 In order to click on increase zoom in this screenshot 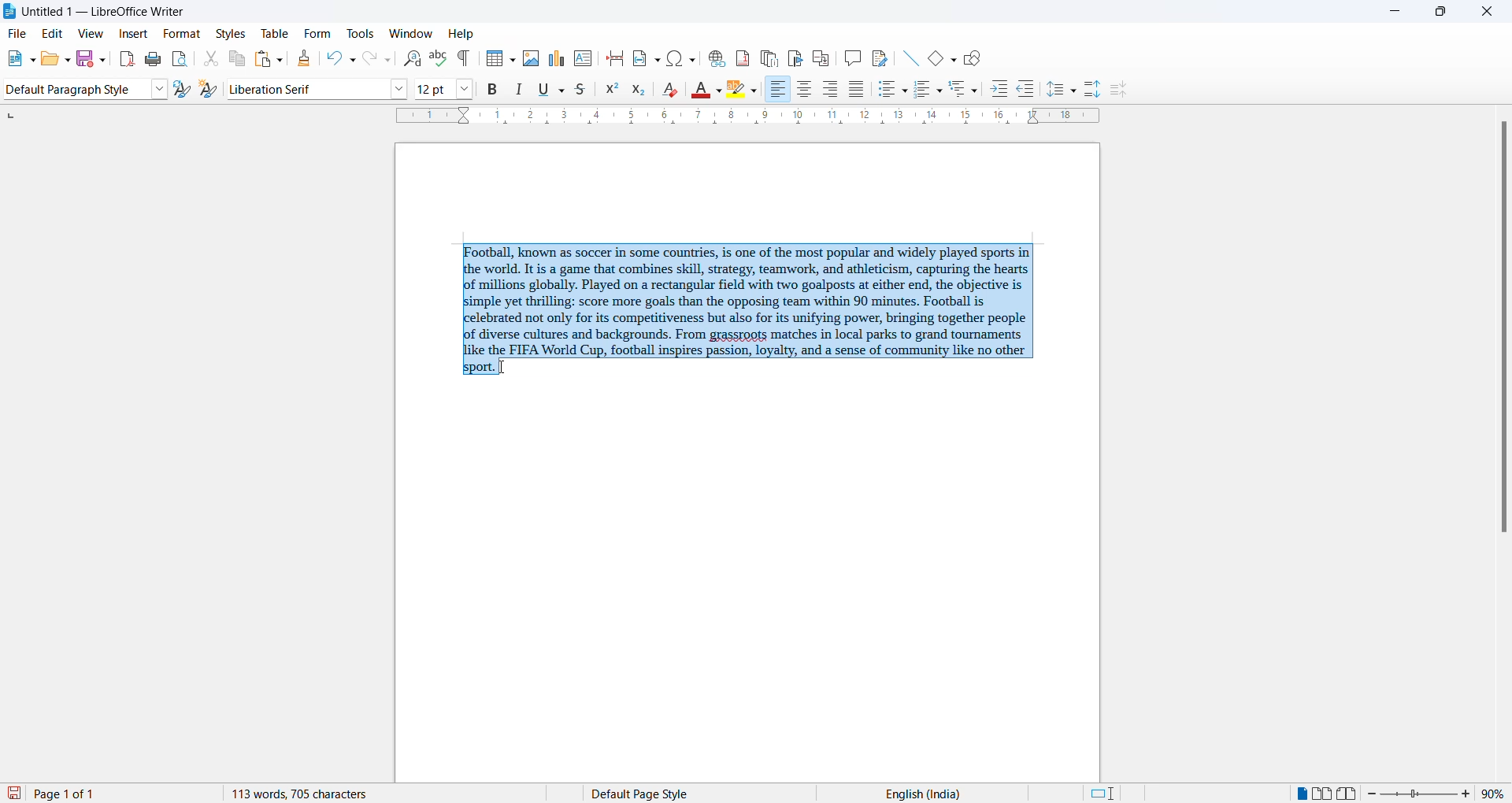, I will do `click(1470, 794)`.